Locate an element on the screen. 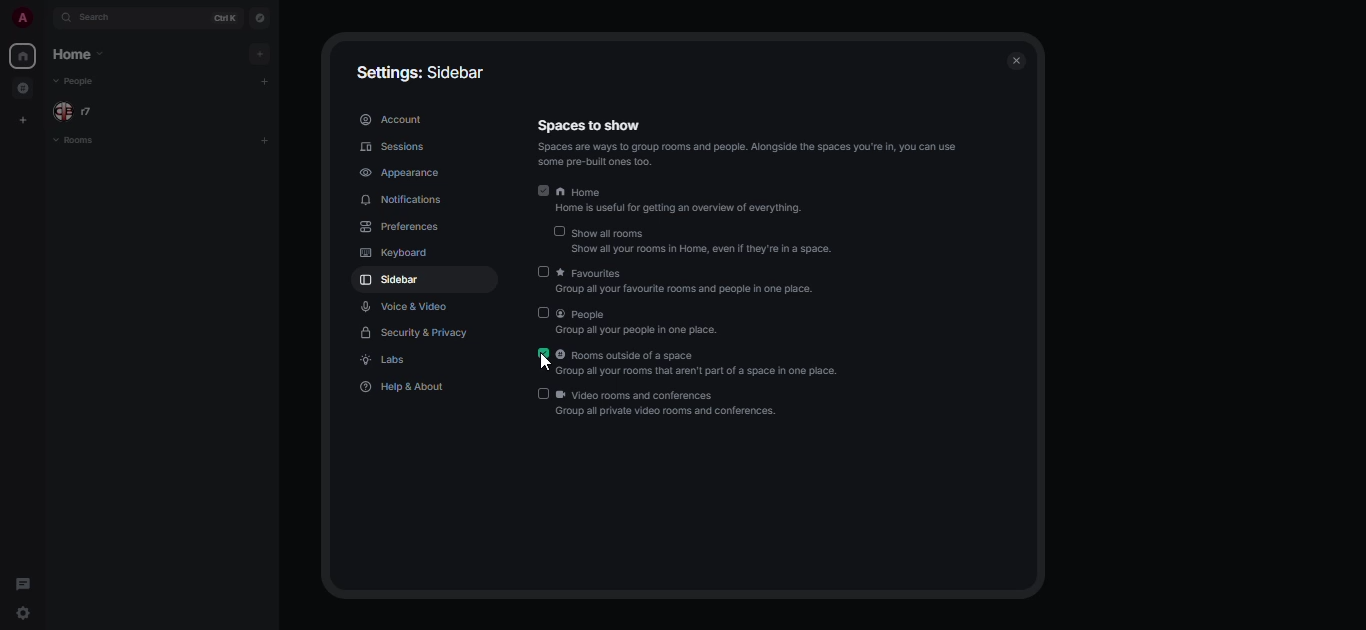 This screenshot has height=630, width=1366. security & privacy is located at coordinates (416, 332).